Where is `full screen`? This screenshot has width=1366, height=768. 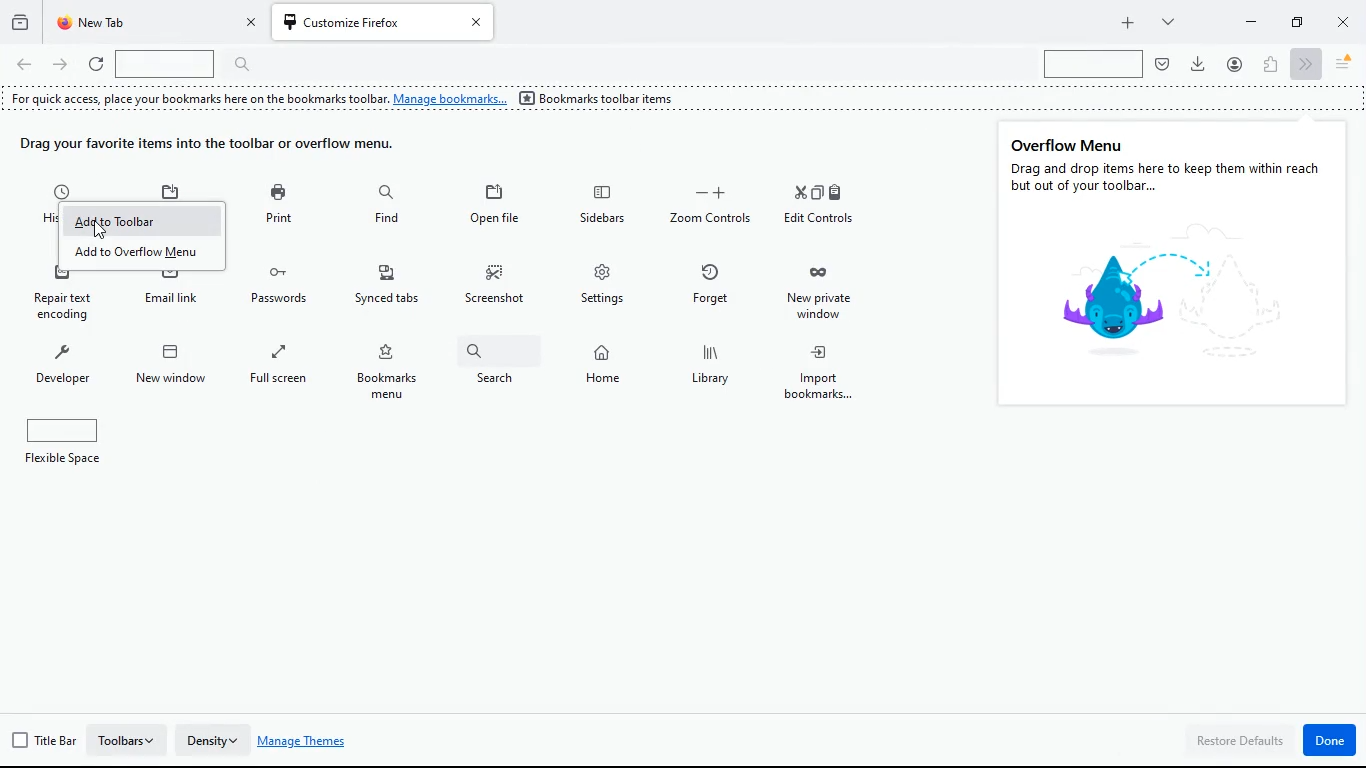
full screen is located at coordinates (284, 371).